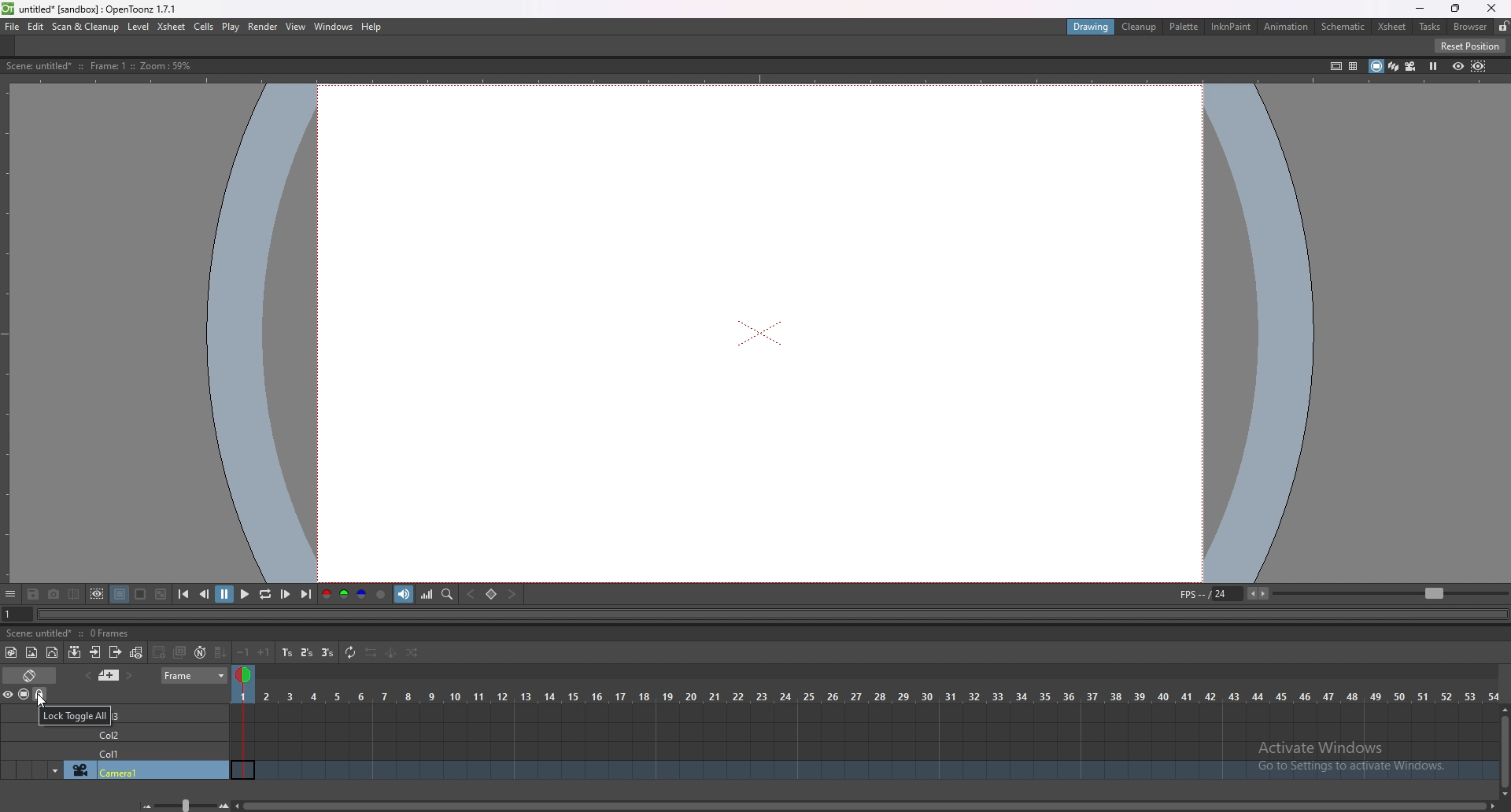 This screenshot has height=812, width=1511. What do you see at coordinates (196, 676) in the screenshot?
I see `frame` at bounding box center [196, 676].